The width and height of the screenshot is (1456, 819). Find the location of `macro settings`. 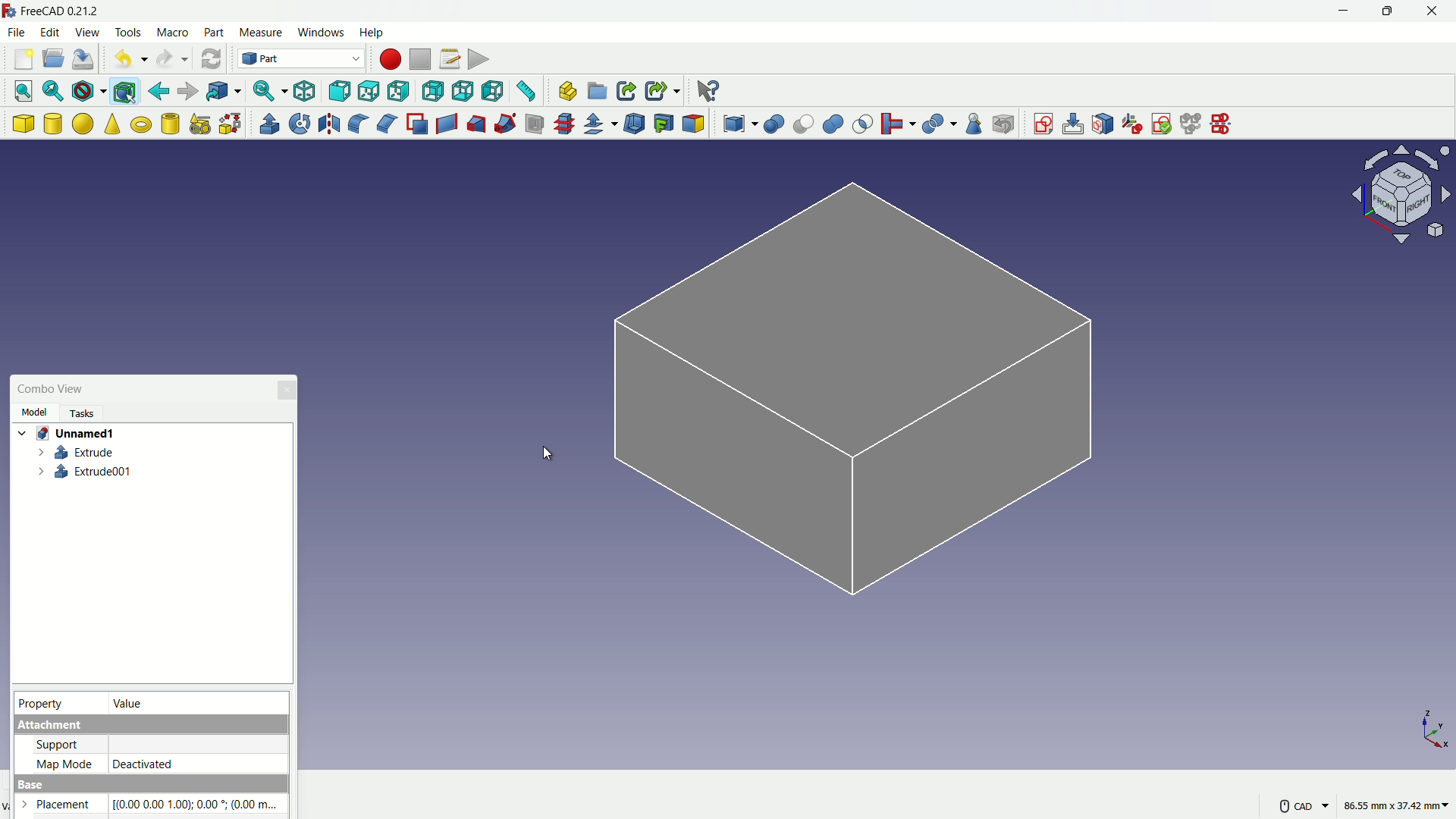

macro settings is located at coordinates (450, 59).